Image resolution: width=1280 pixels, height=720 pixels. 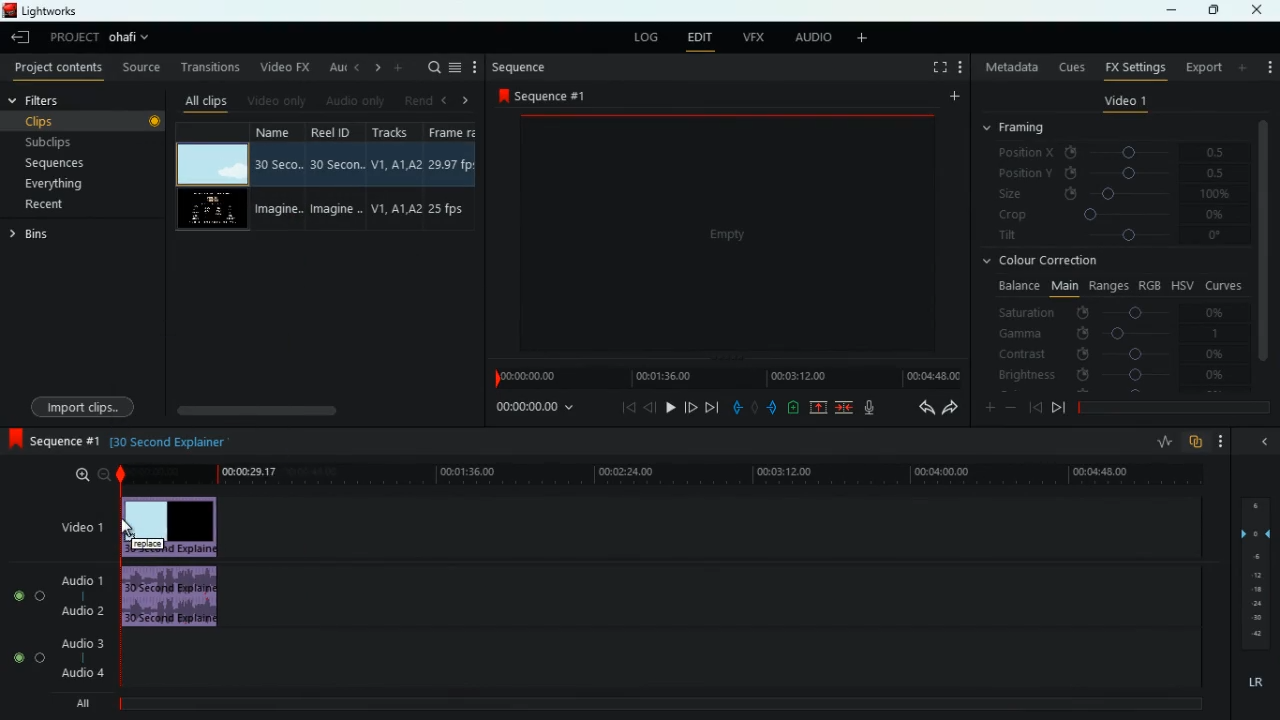 I want to click on up, so click(x=818, y=408).